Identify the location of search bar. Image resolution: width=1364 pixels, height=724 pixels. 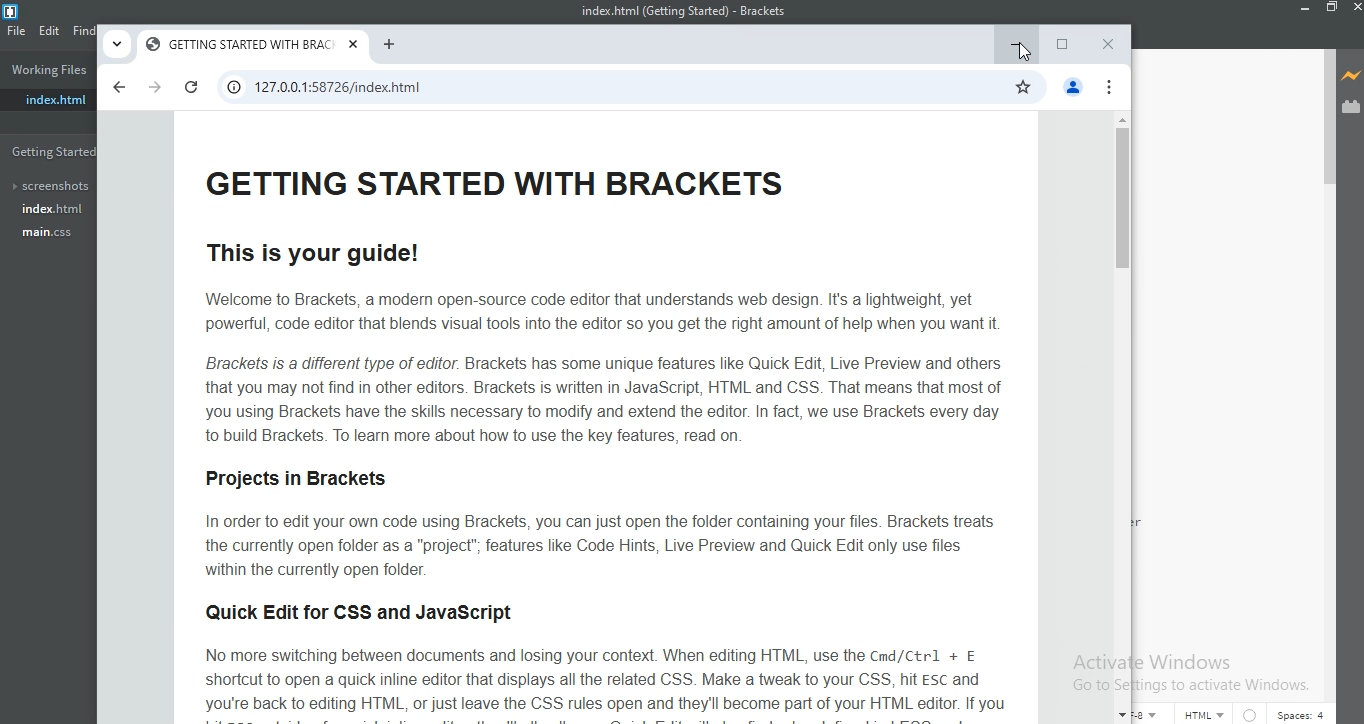
(608, 89).